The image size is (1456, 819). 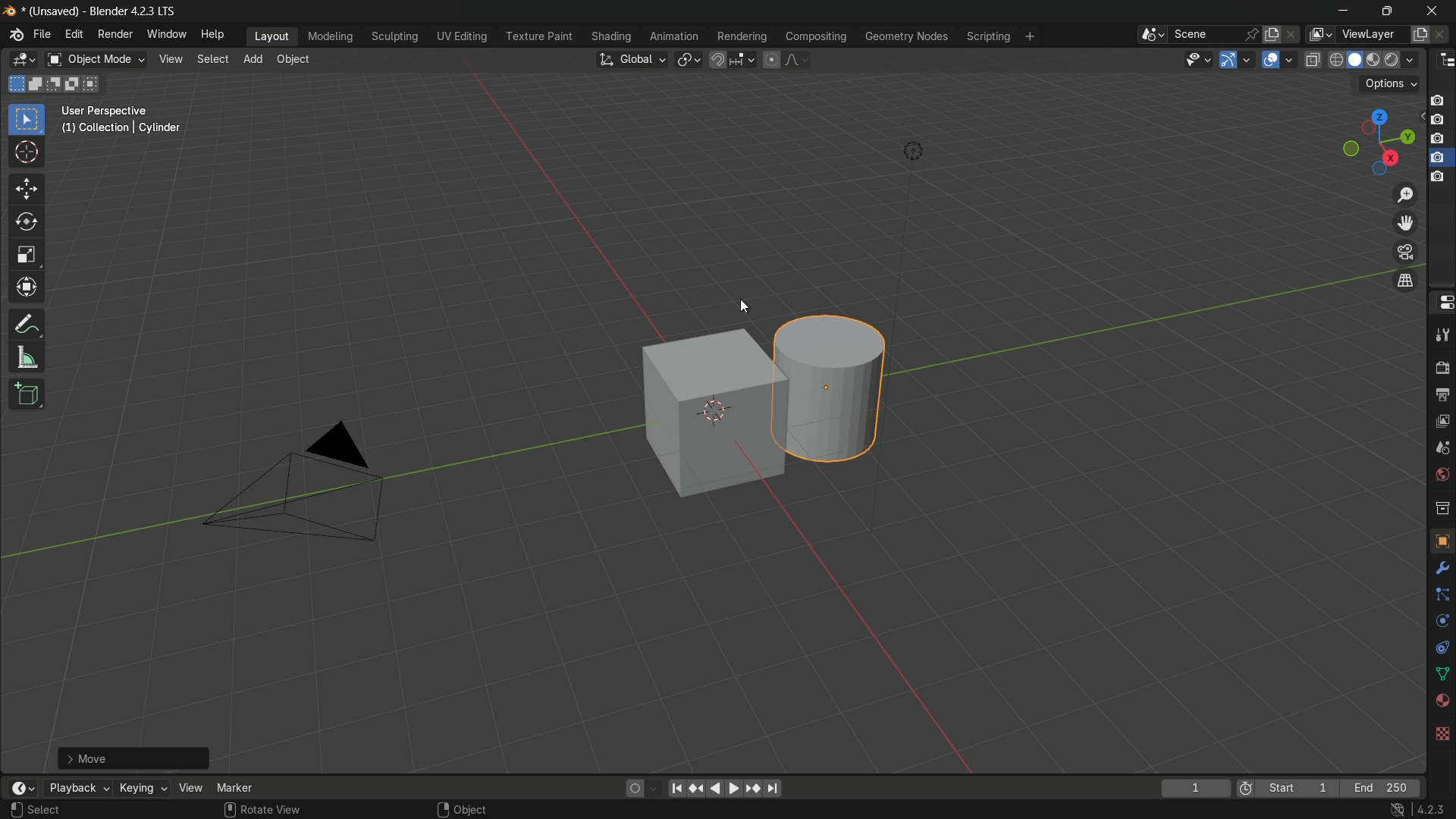 I want to click on rendering menu, so click(x=742, y=37).